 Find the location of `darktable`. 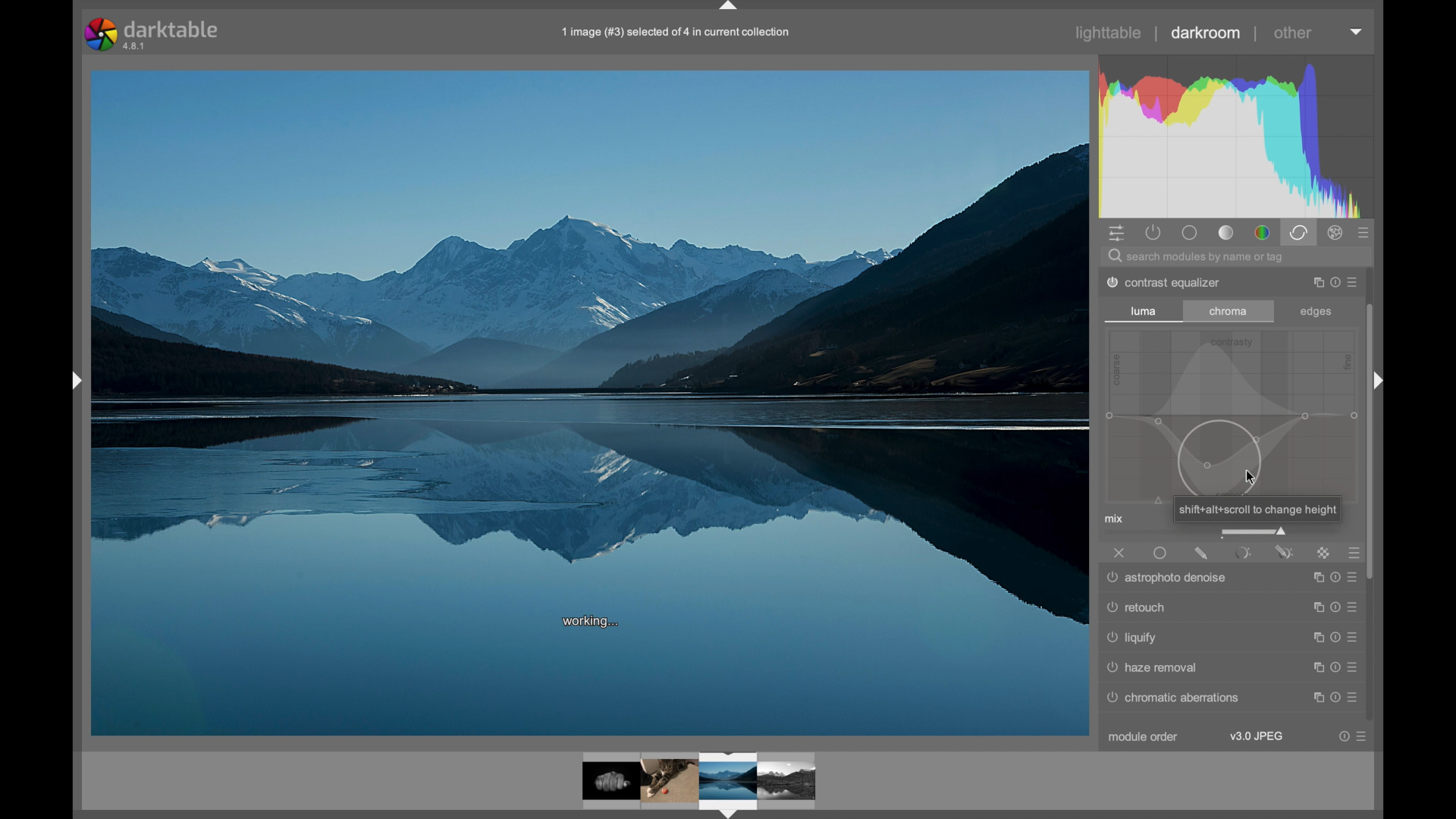

darktable is located at coordinates (152, 35).